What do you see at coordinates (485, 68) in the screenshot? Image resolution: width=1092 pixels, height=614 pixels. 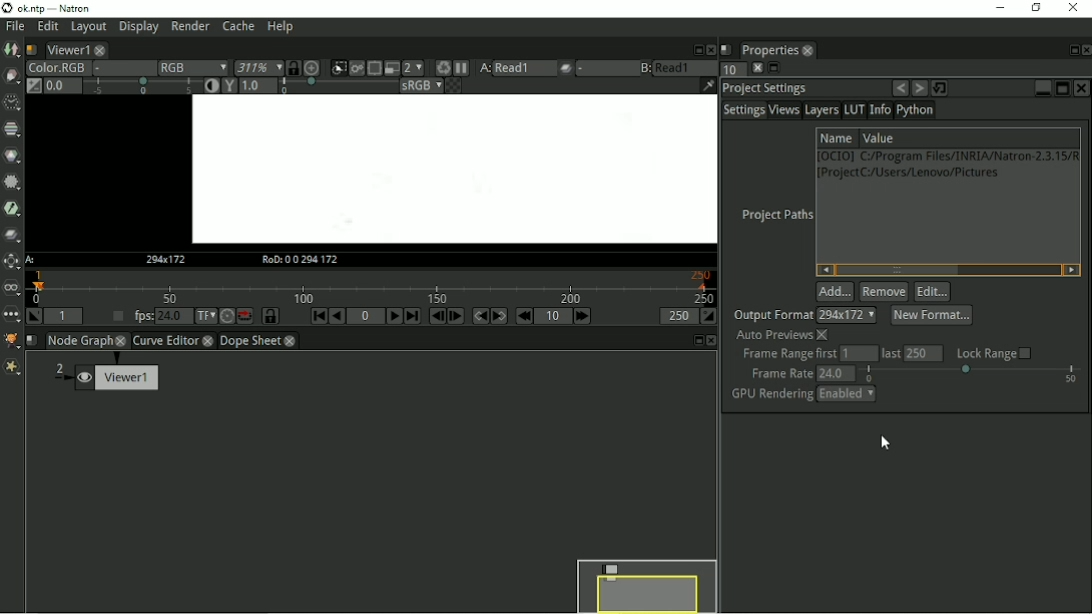 I see `Viewer input A` at bounding box center [485, 68].